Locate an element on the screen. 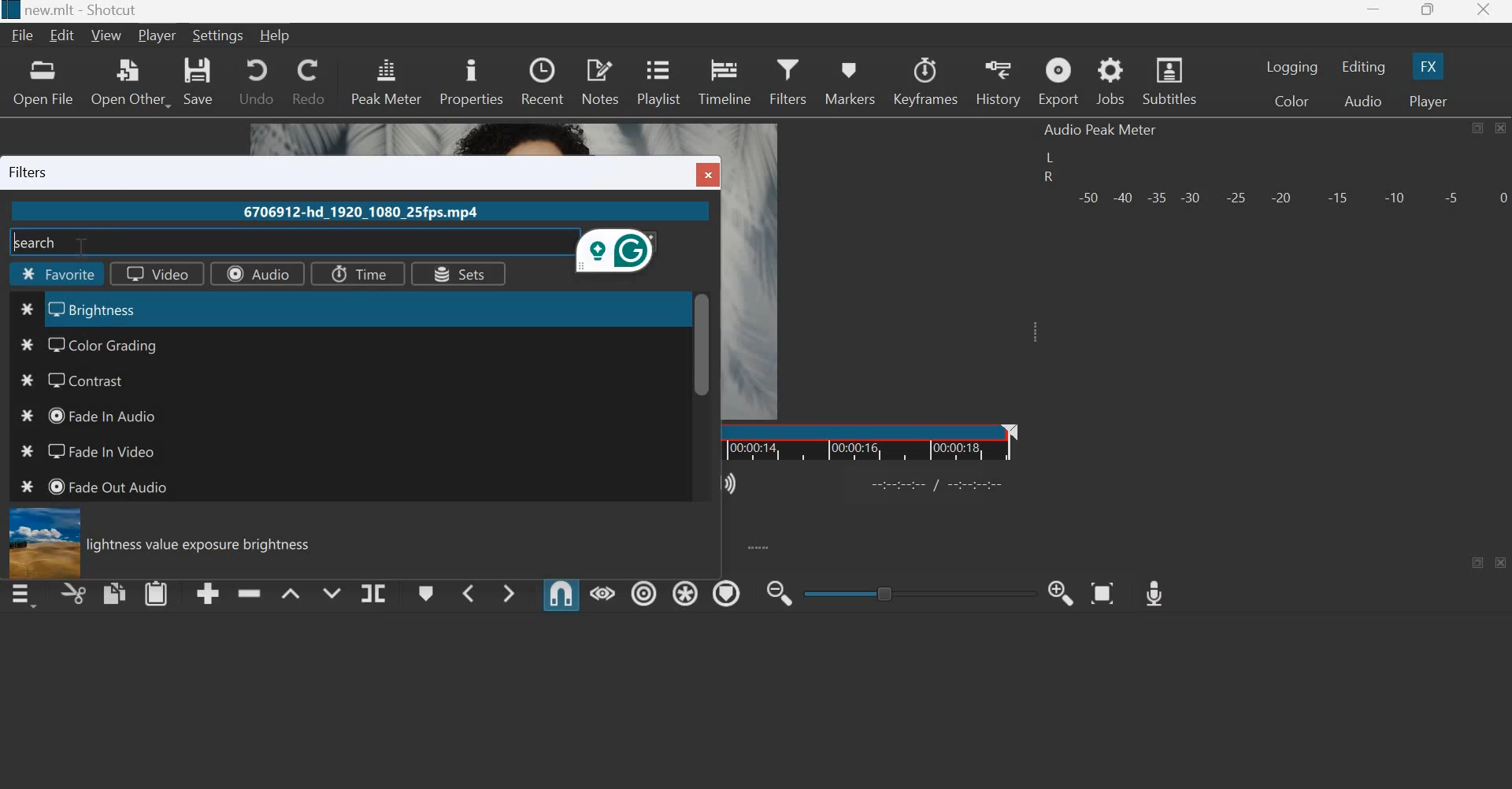 The width and height of the screenshot is (1512, 789).  is located at coordinates (22, 454).